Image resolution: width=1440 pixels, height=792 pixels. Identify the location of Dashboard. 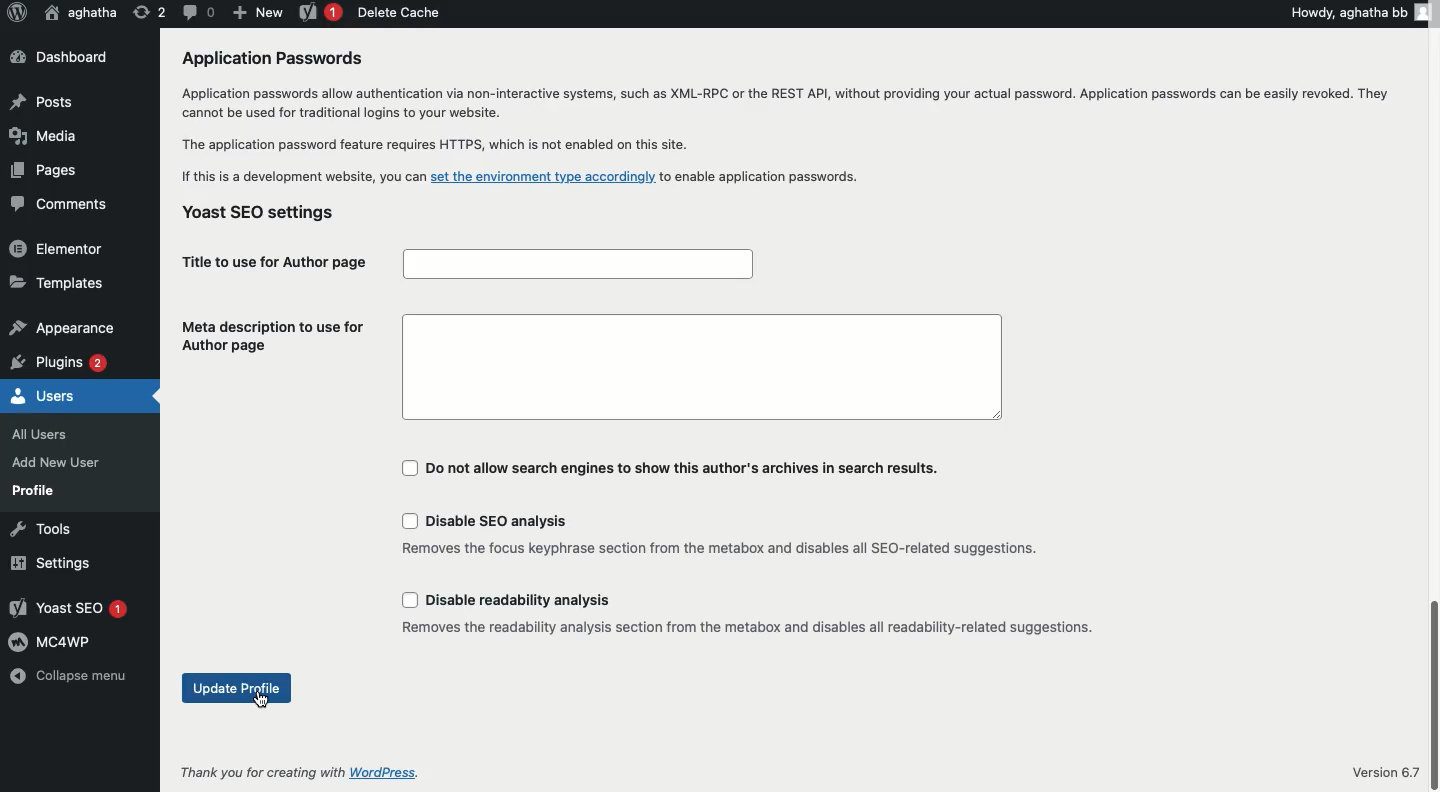
(68, 58).